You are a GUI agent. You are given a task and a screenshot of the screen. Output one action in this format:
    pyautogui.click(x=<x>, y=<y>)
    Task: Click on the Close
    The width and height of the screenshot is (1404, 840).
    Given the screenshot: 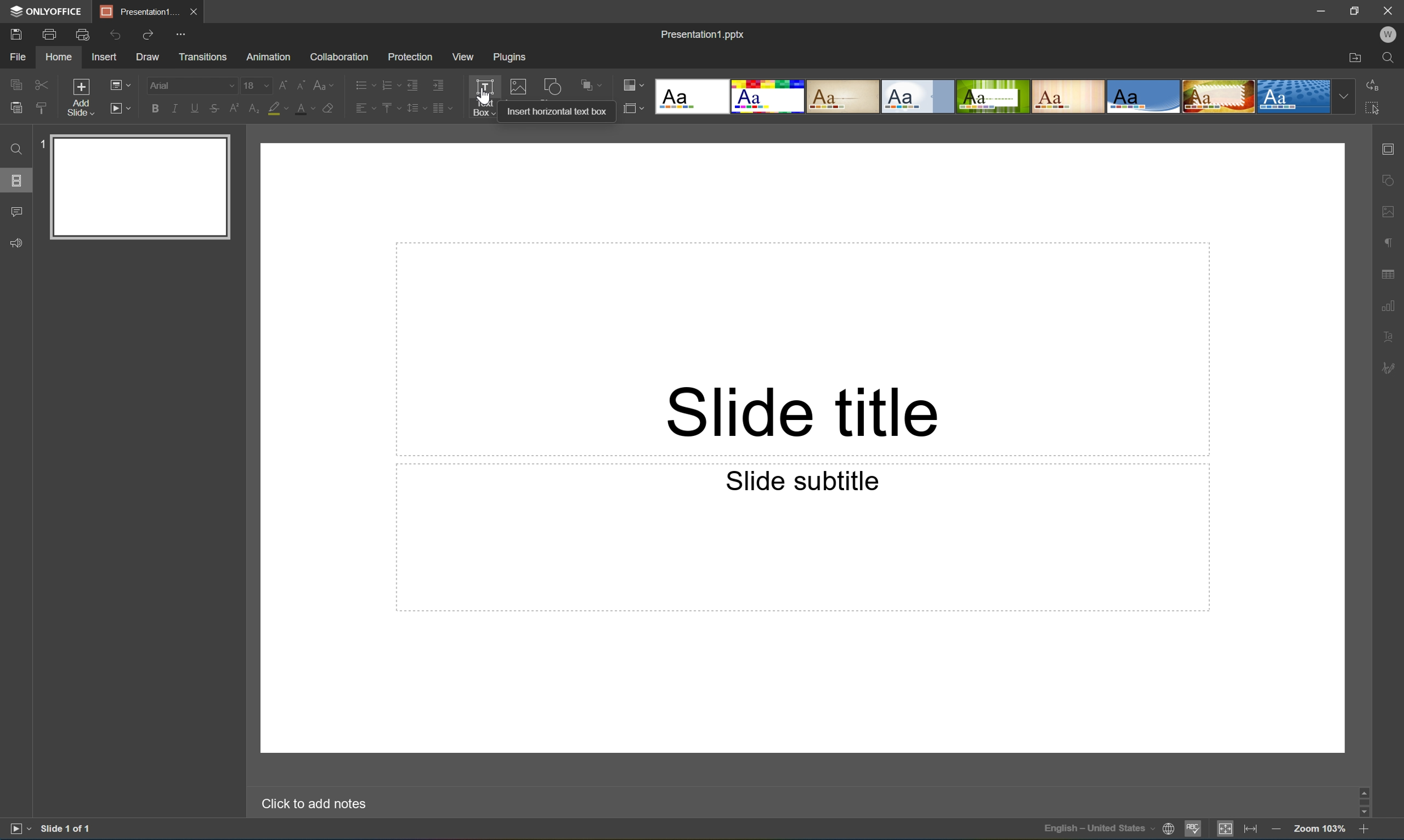 What is the action you would take?
    pyautogui.click(x=192, y=10)
    